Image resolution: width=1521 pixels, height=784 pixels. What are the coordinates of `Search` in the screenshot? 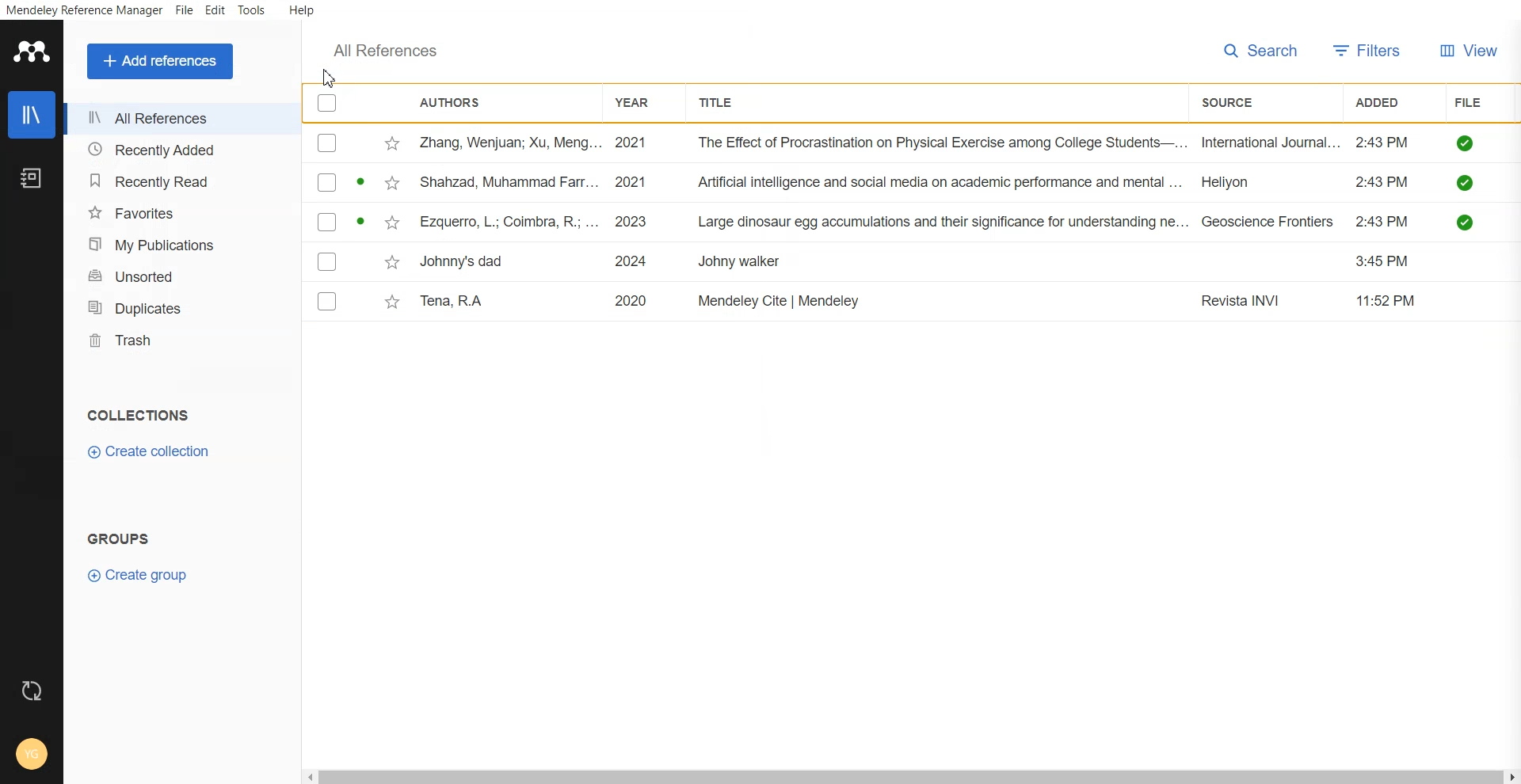 It's located at (1261, 51).